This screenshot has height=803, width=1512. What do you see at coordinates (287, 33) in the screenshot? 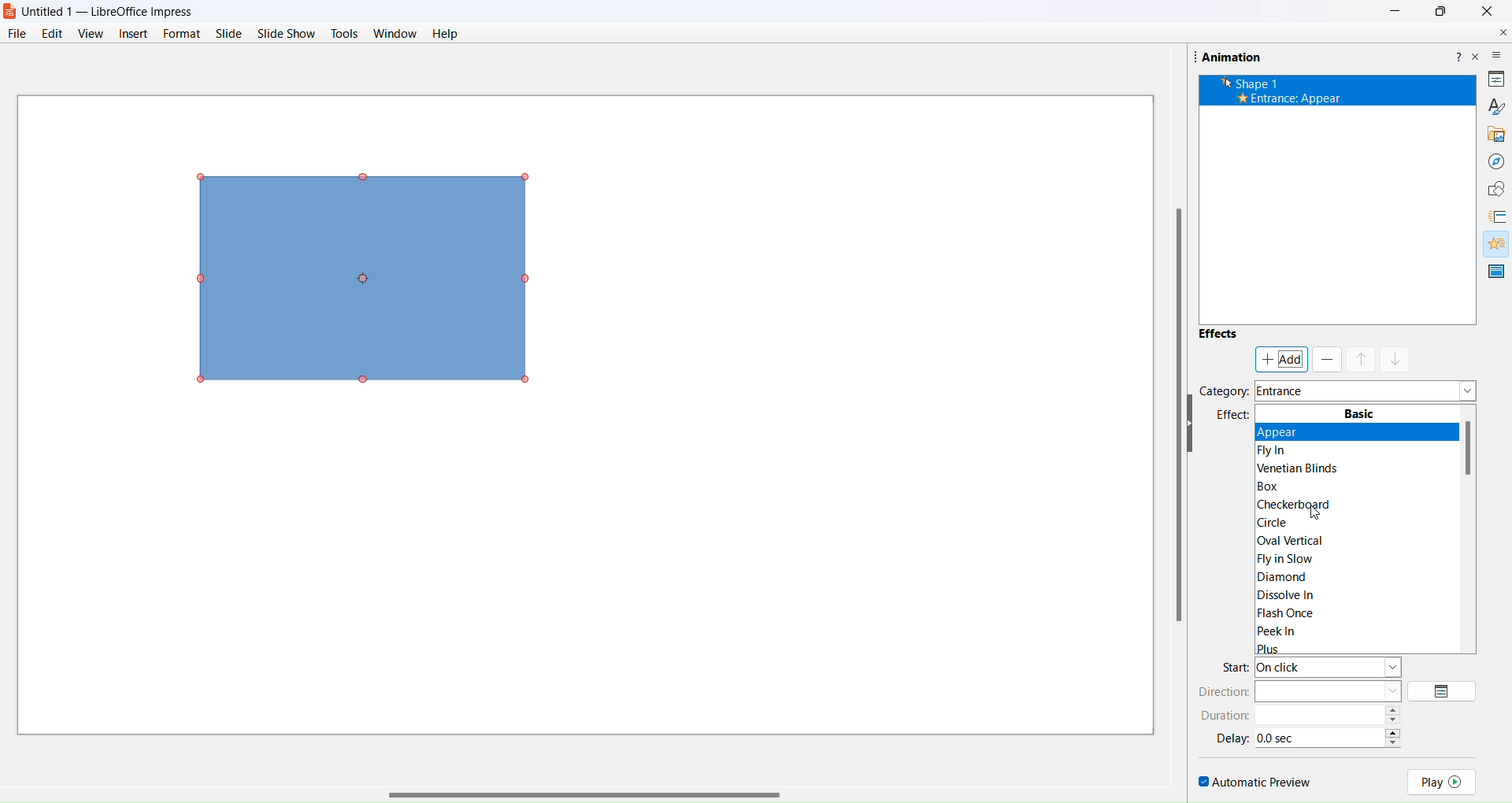
I see `slide show` at bounding box center [287, 33].